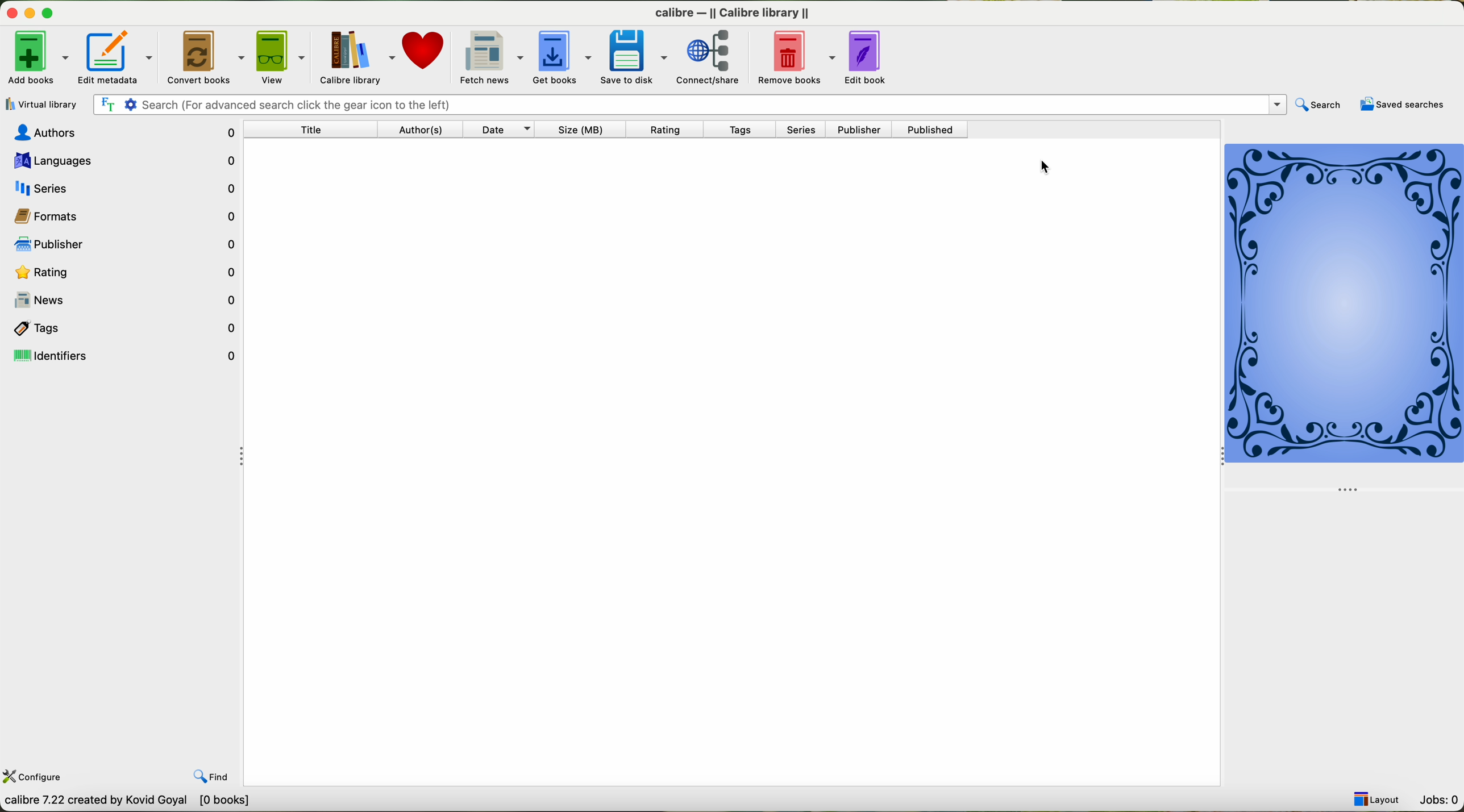 This screenshot has height=812, width=1464. What do you see at coordinates (121, 159) in the screenshot?
I see `languages` at bounding box center [121, 159].